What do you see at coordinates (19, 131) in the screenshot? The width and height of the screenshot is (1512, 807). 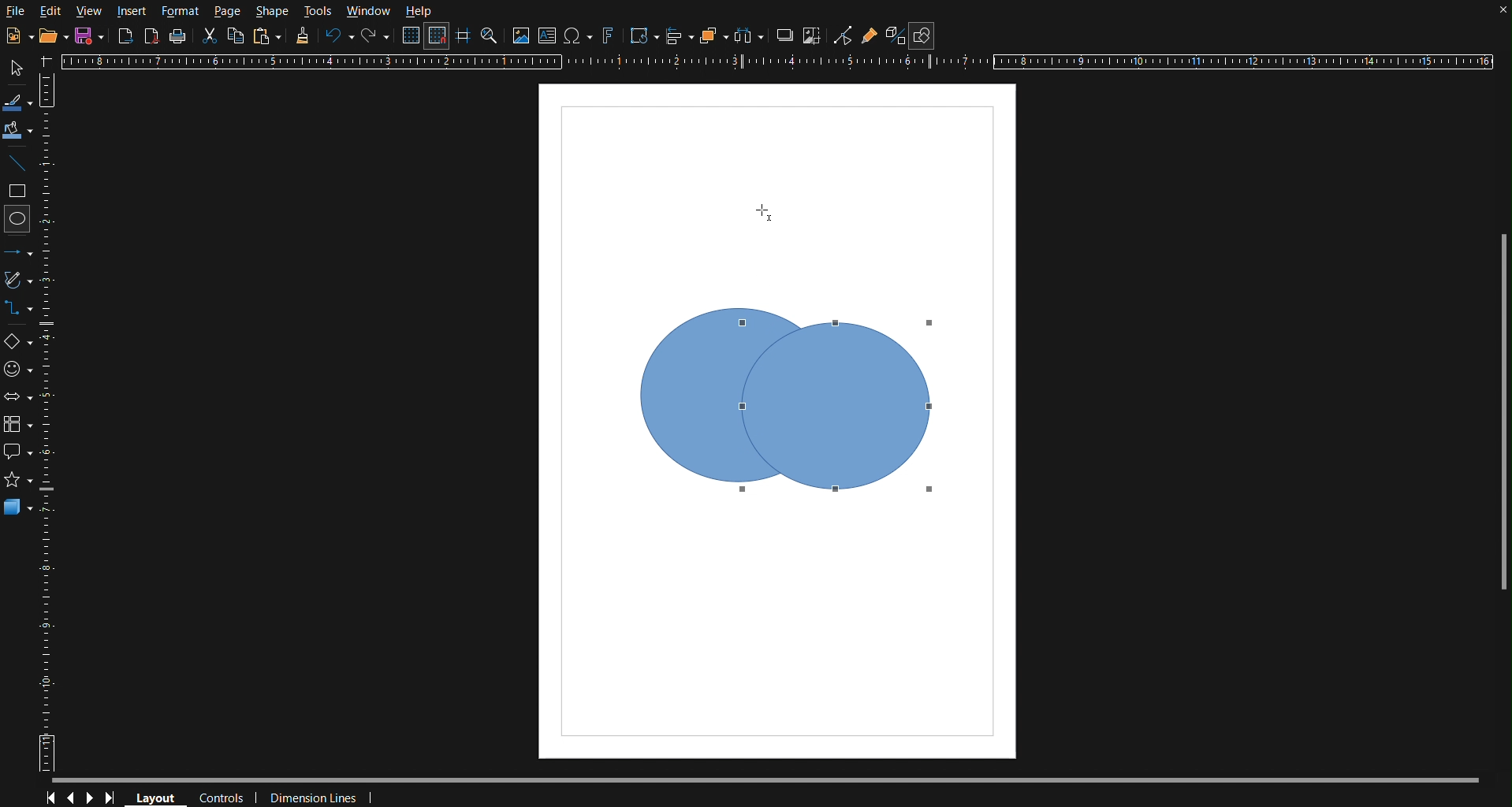 I see `Fill Color` at bounding box center [19, 131].